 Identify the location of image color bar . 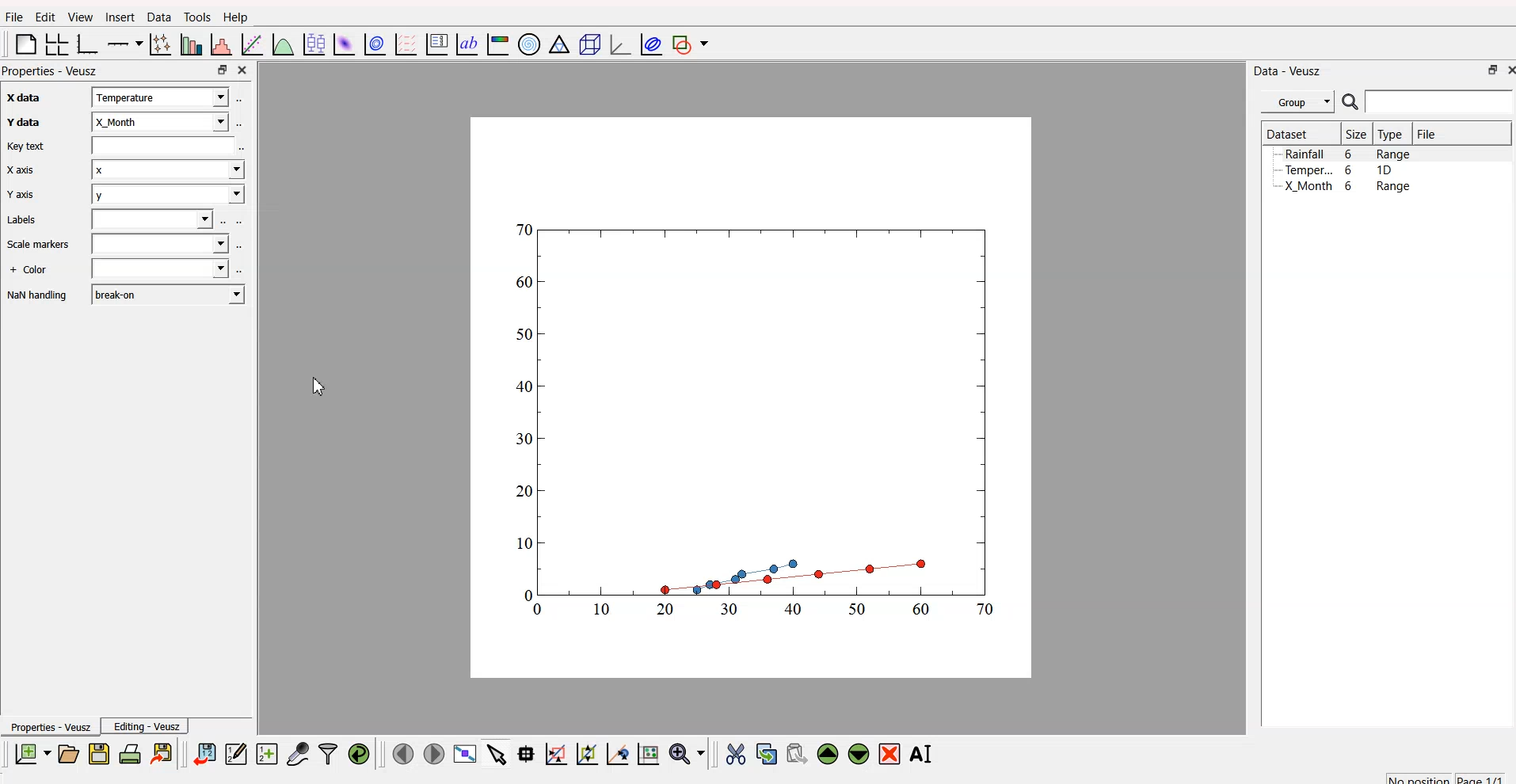
(497, 44).